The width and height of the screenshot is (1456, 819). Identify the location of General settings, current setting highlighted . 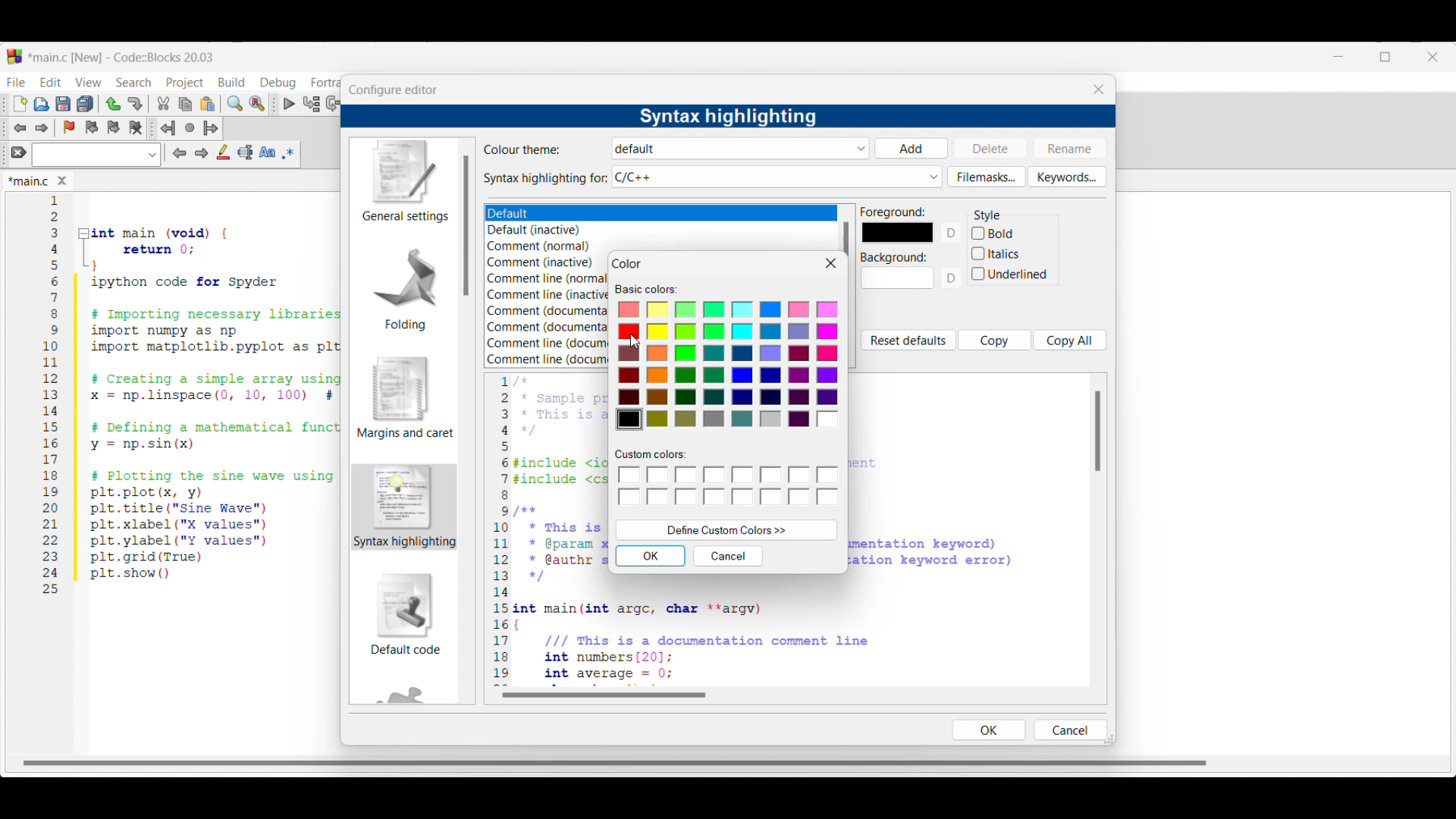
(403, 182).